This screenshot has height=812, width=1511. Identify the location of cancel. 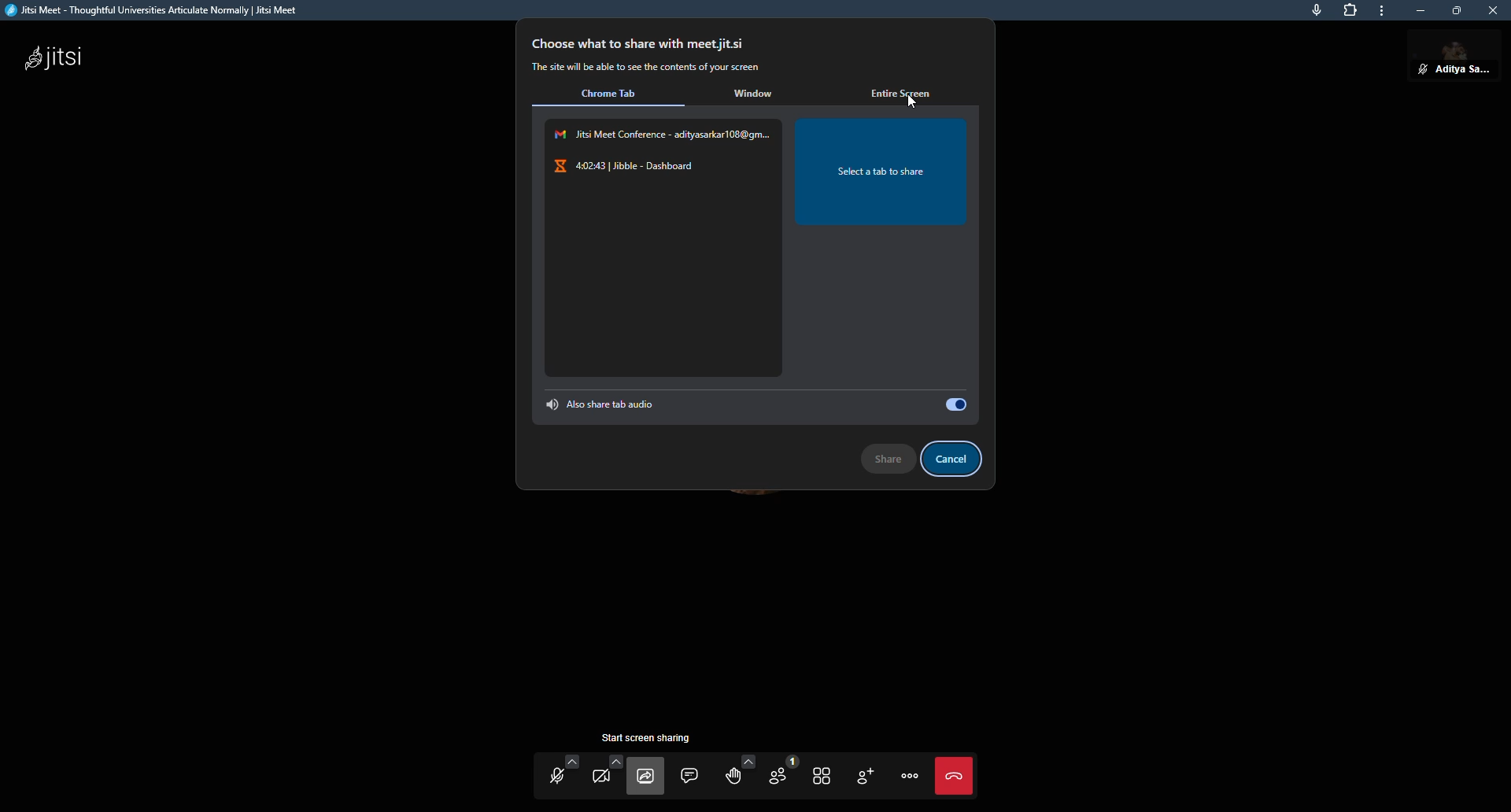
(957, 459).